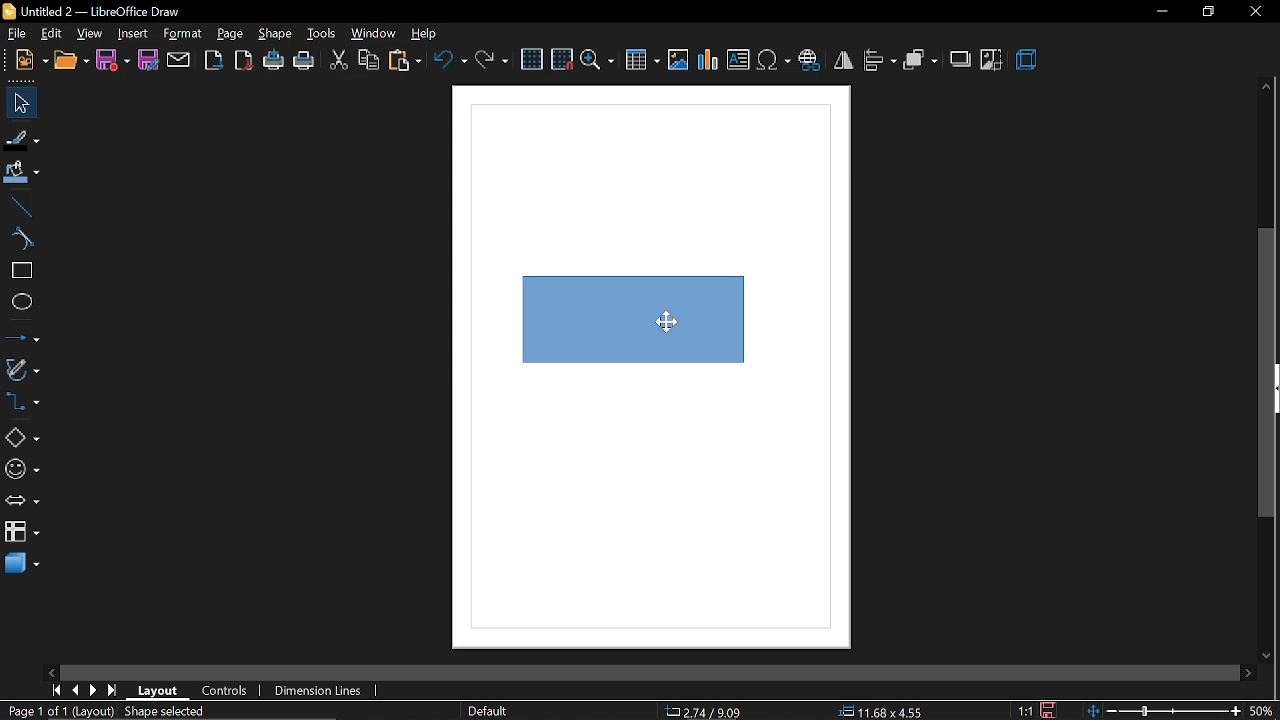  I want to click on shadow, so click(960, 61).